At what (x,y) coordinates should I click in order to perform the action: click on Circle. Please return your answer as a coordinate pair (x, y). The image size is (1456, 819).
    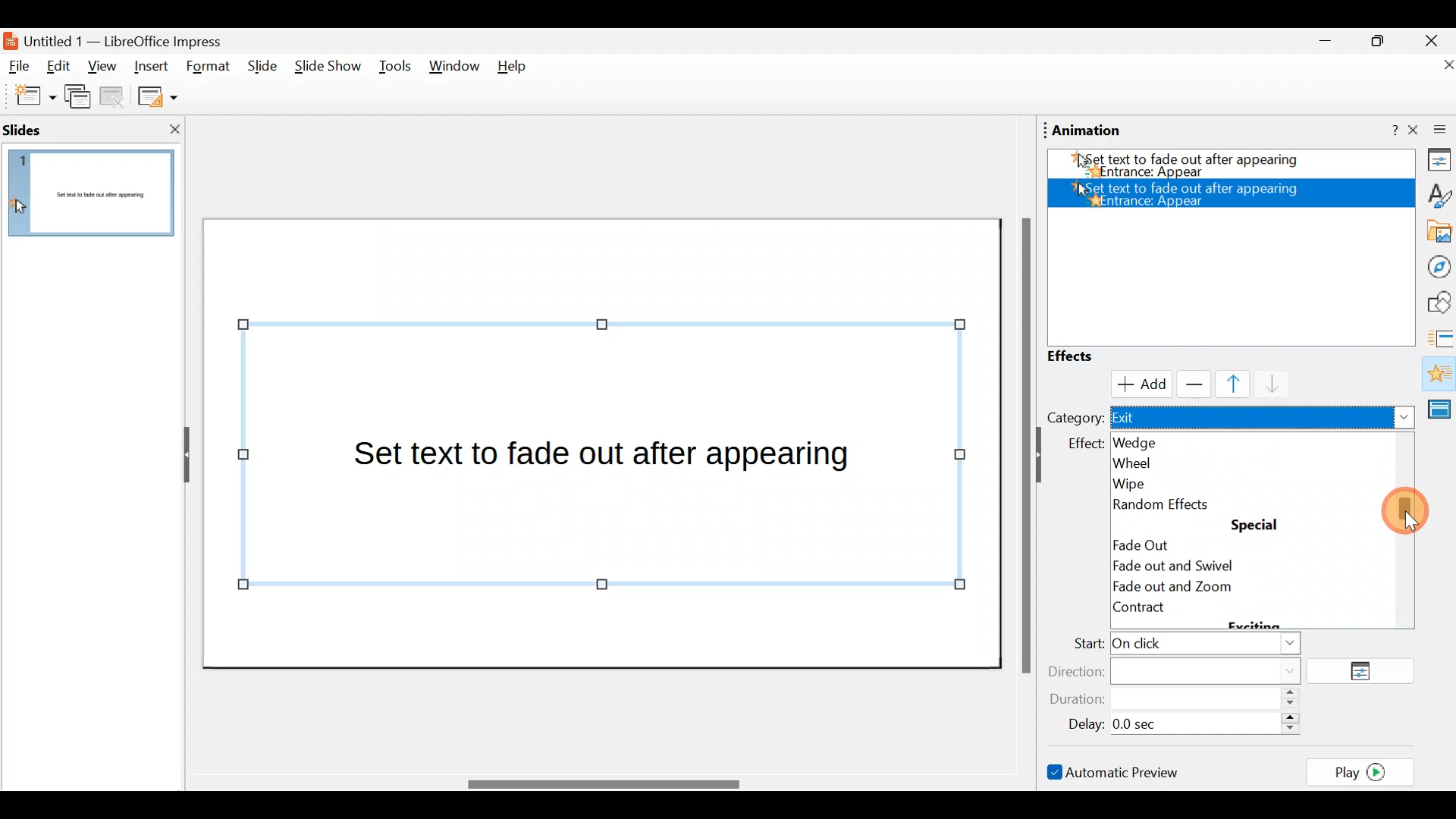
    Looking at the image, I should click on (1170, 567).